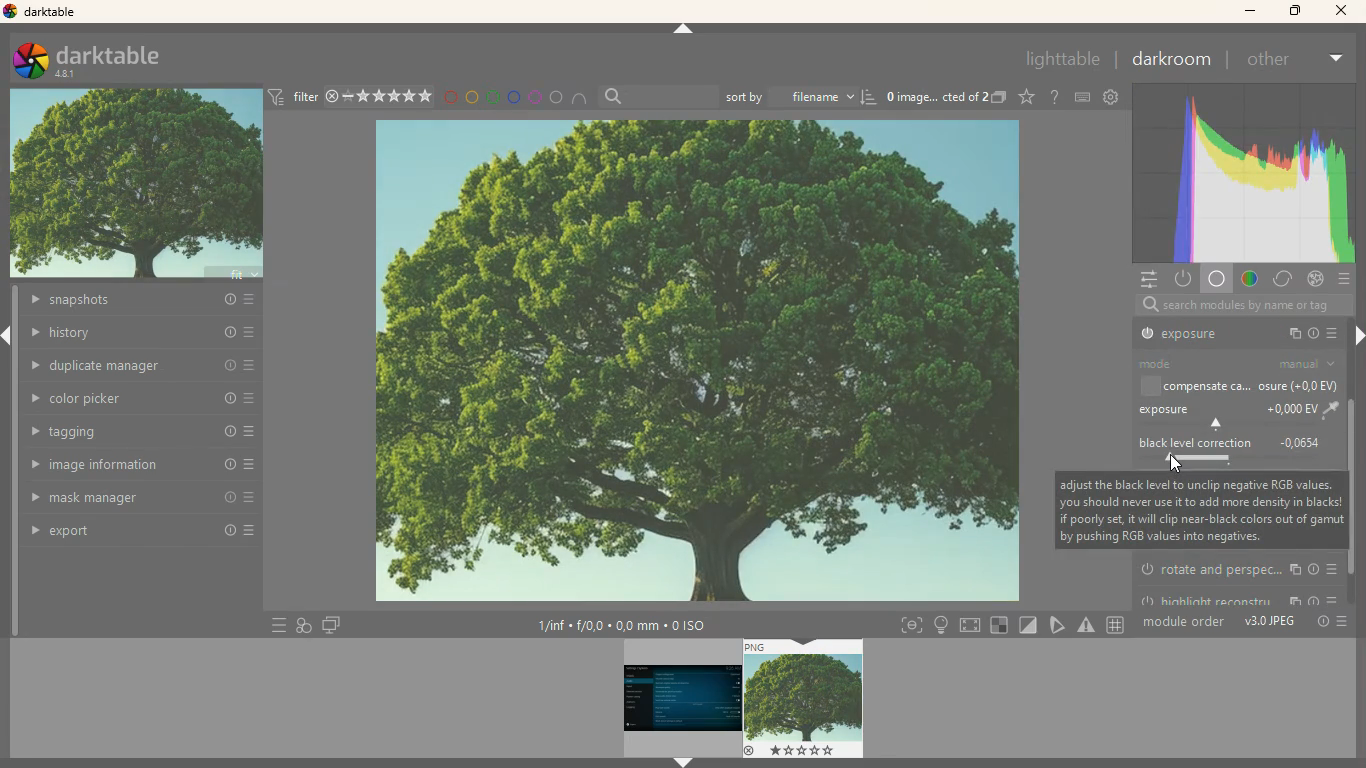 This screenshot has width=1366, height=768. I want to click on image information, so click(626, 625).